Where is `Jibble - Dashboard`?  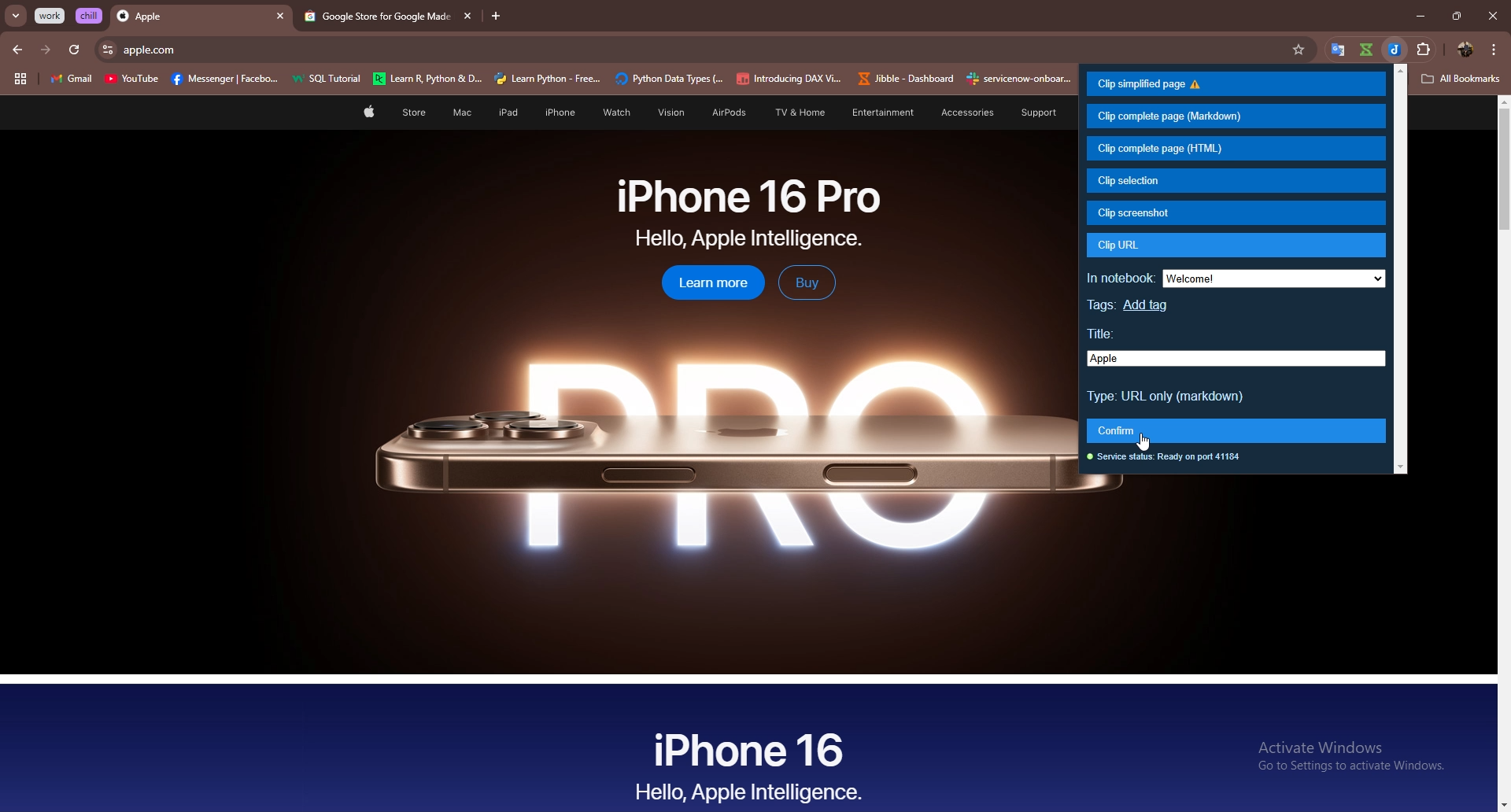 Jibble - Dashboard is located at coordinates (903, 79).